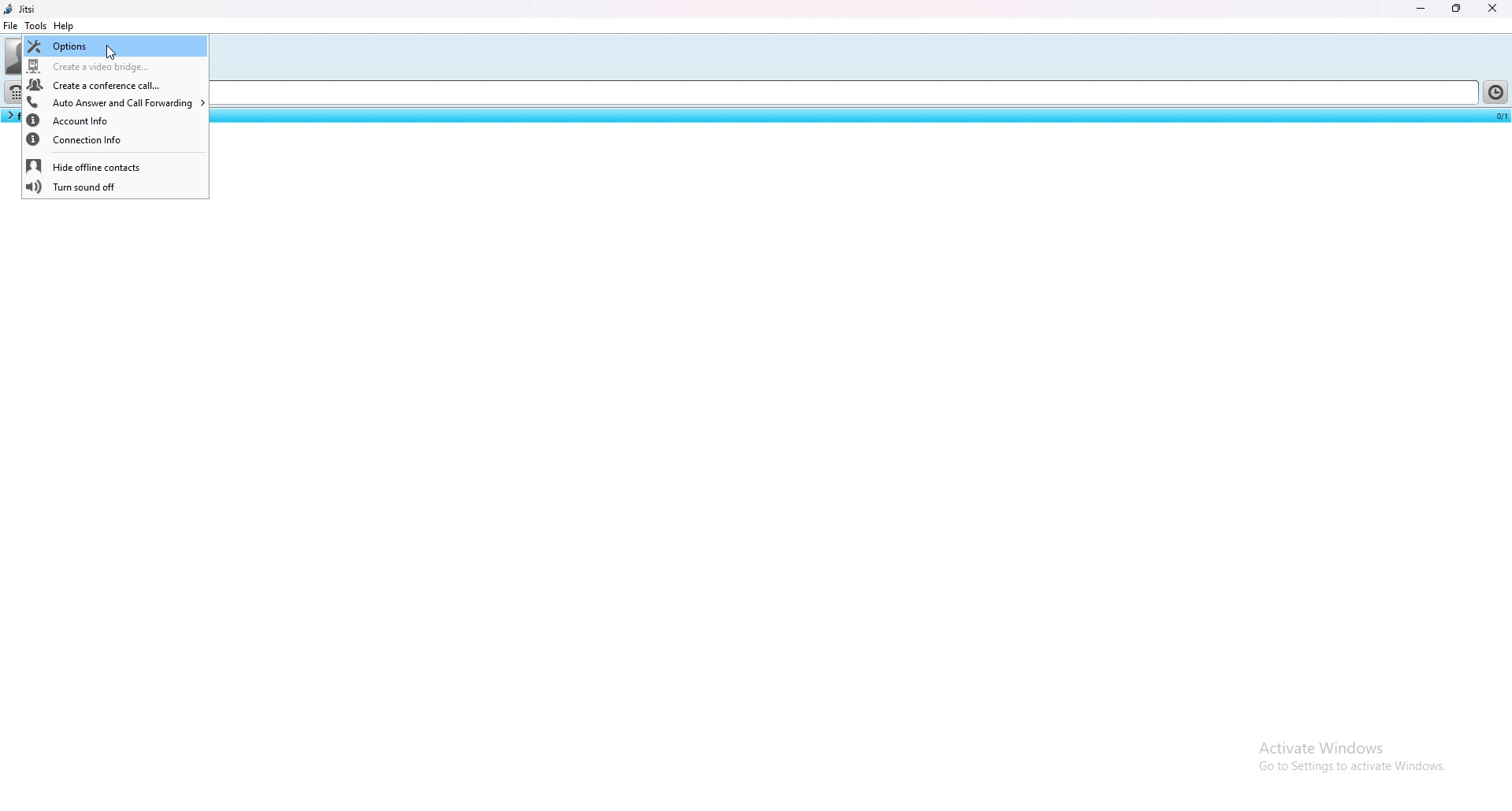 The height and width of the screenshot is (811, 1512). I want to click on turn sound off, so click(115, 188).